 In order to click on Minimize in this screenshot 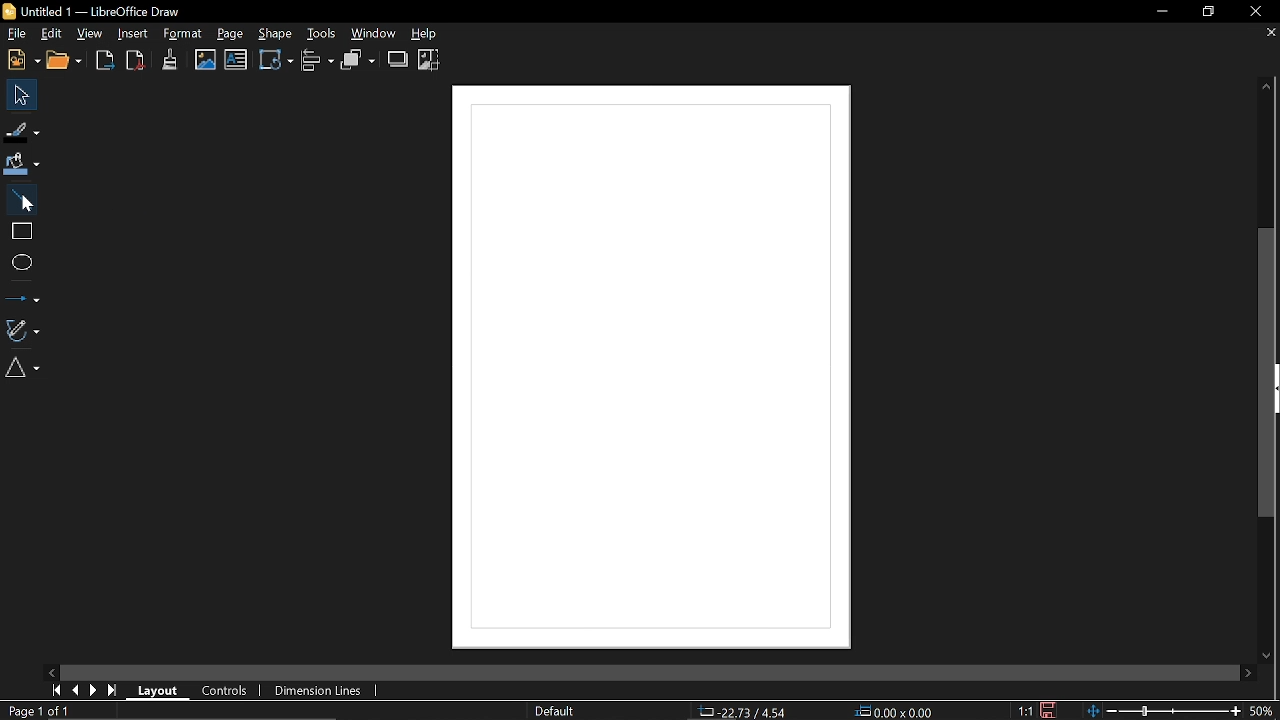, I will do `click(1161, 12)`.